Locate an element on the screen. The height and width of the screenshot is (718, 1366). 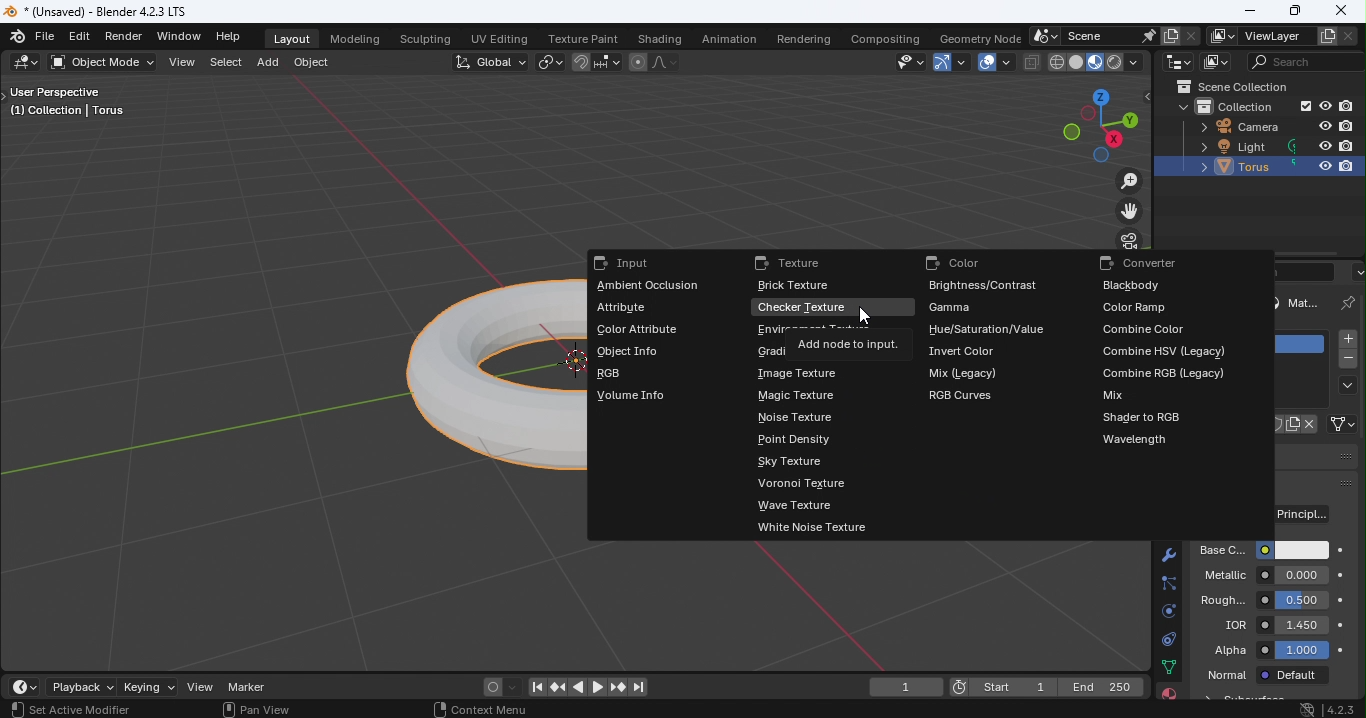
Plat animation is located at coordinates (598, 689).